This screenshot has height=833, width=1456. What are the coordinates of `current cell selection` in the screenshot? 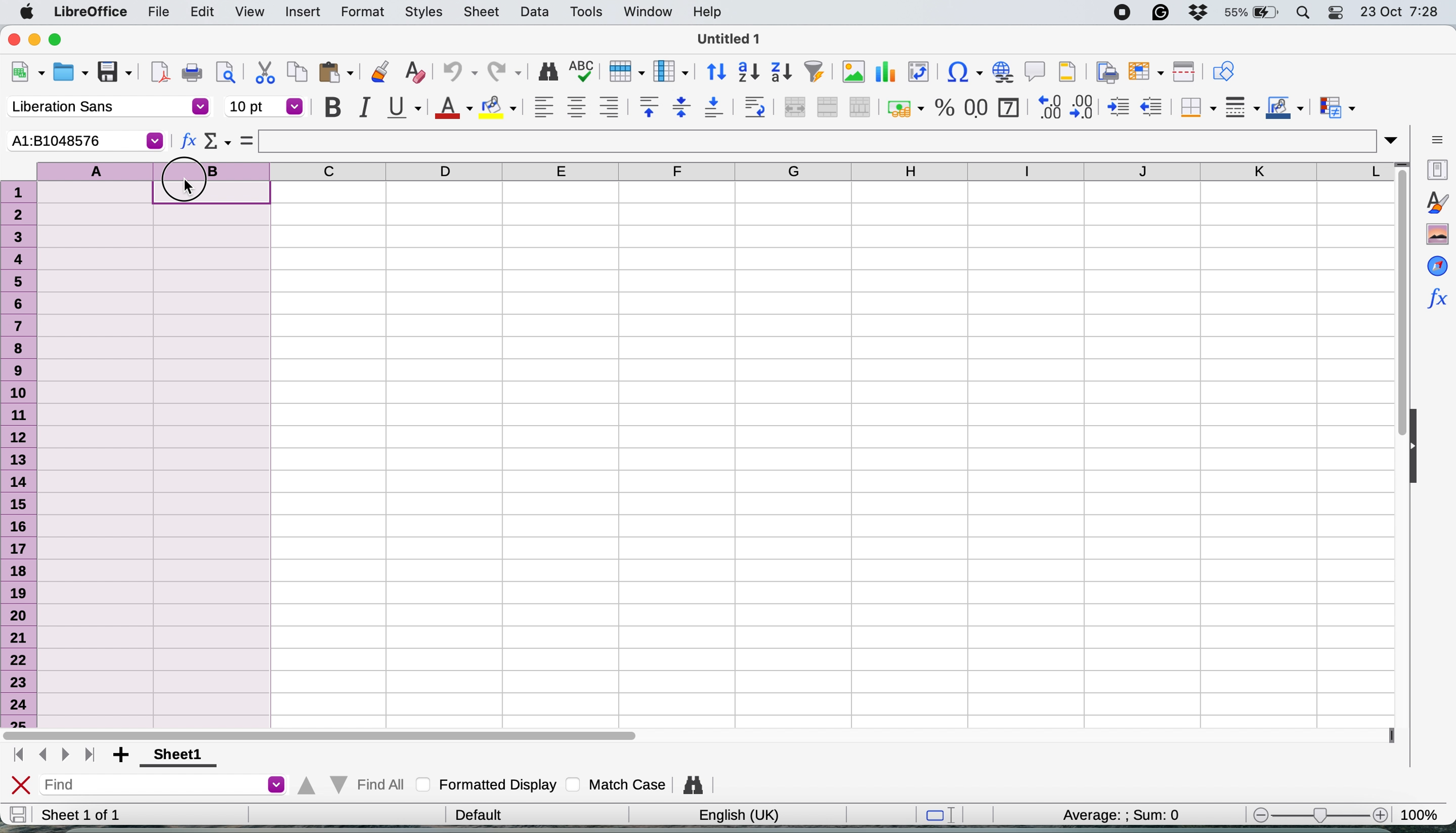 It's located at (82, 140).